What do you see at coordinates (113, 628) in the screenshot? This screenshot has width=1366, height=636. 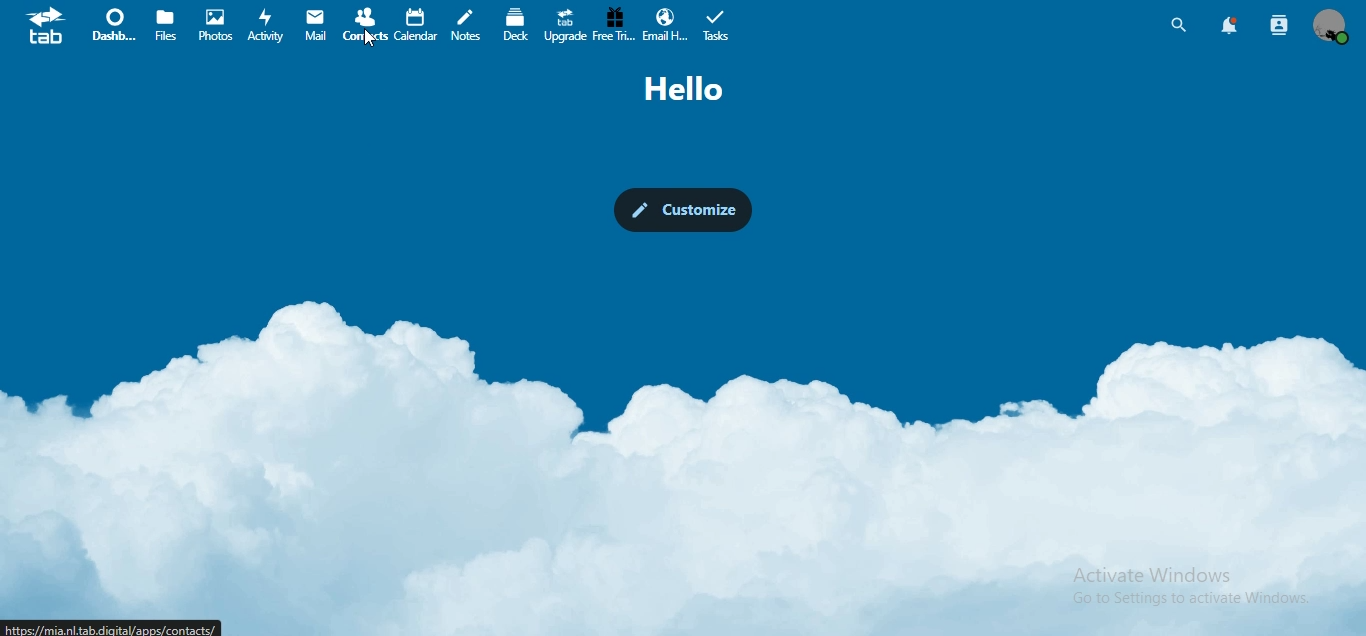 I see `URL` at bounding box center [113, 628].